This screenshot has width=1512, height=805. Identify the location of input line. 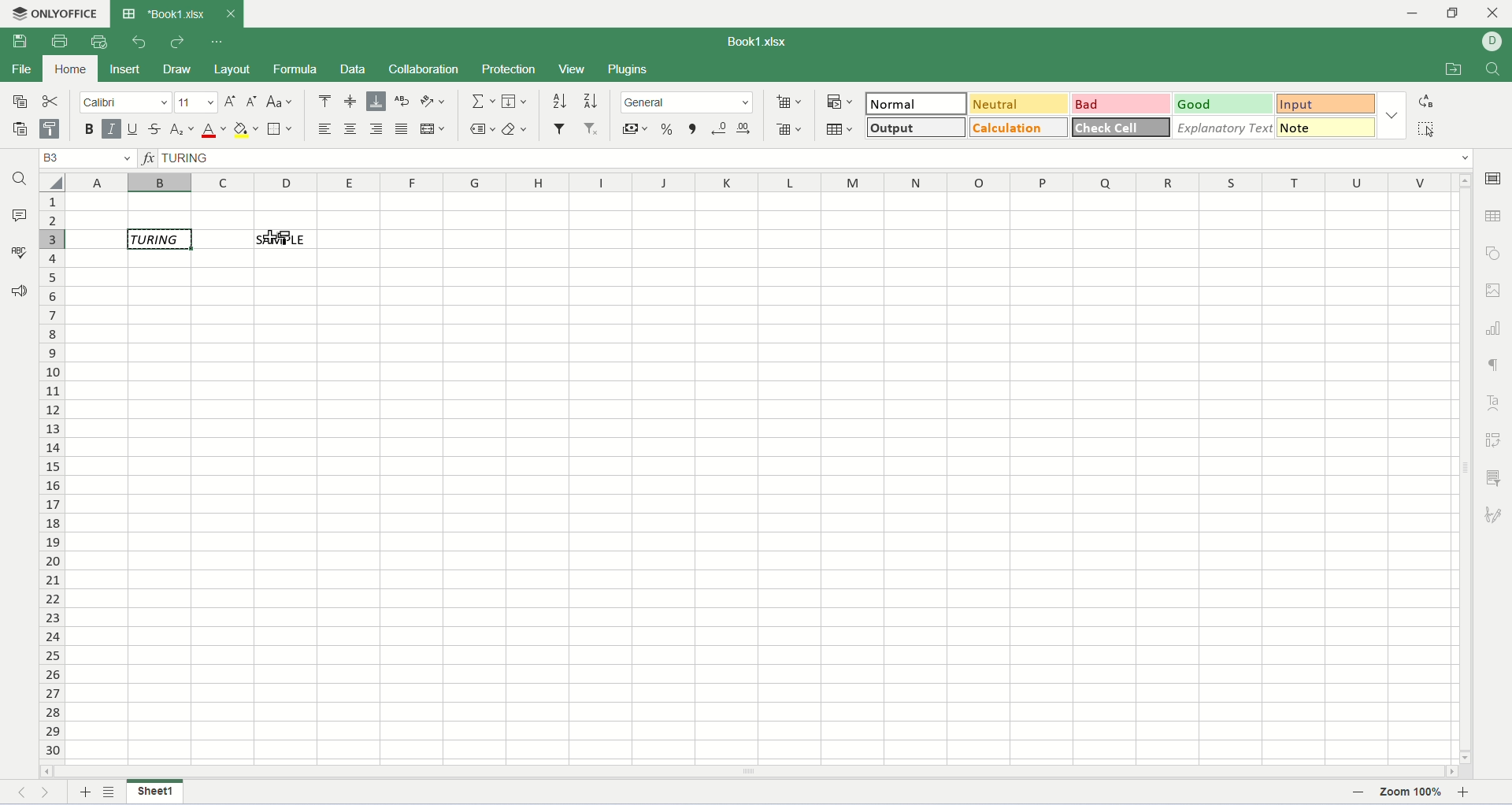
(819, 158).